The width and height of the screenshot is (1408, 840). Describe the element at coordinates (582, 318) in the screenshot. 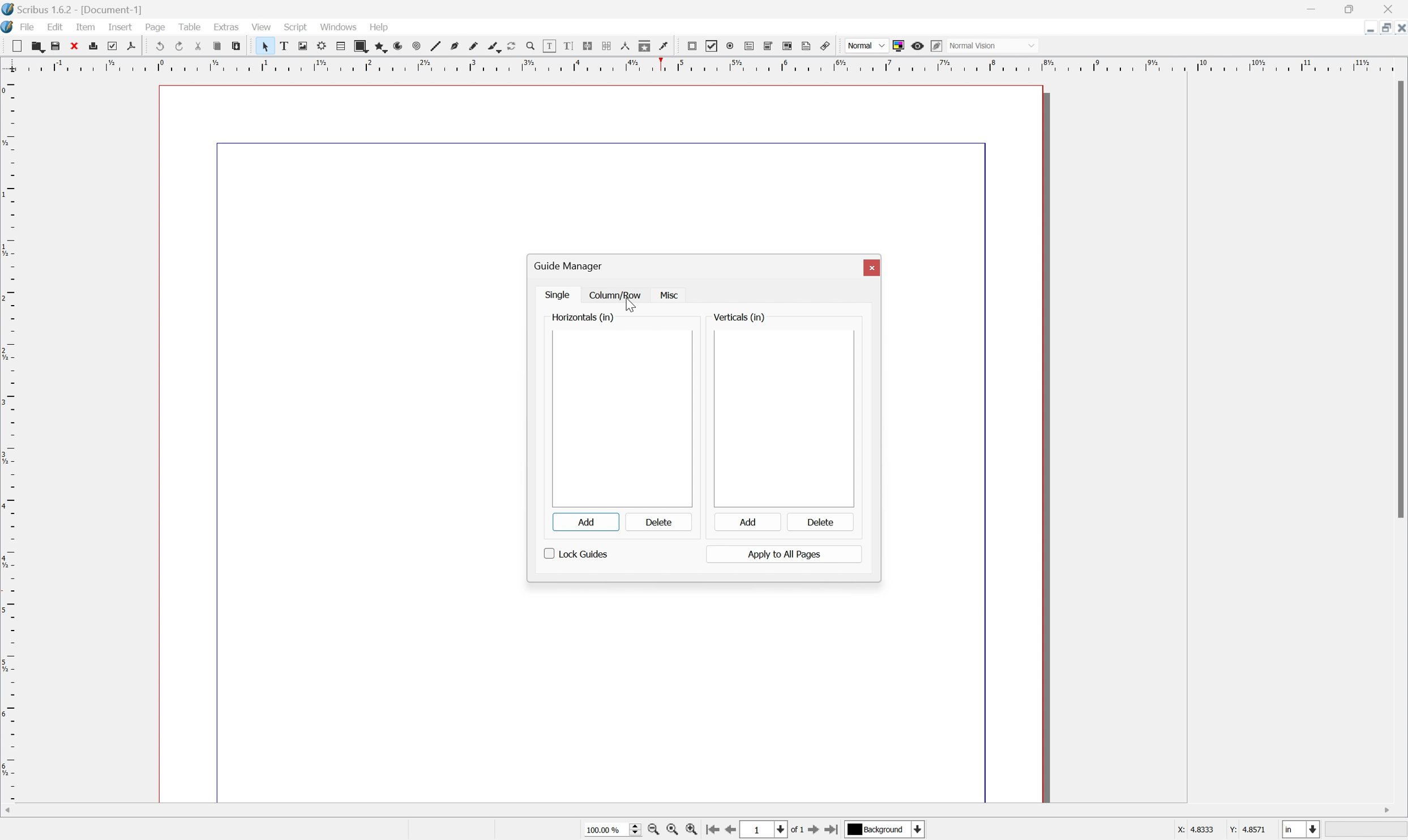

I see `horizontals` at that location.